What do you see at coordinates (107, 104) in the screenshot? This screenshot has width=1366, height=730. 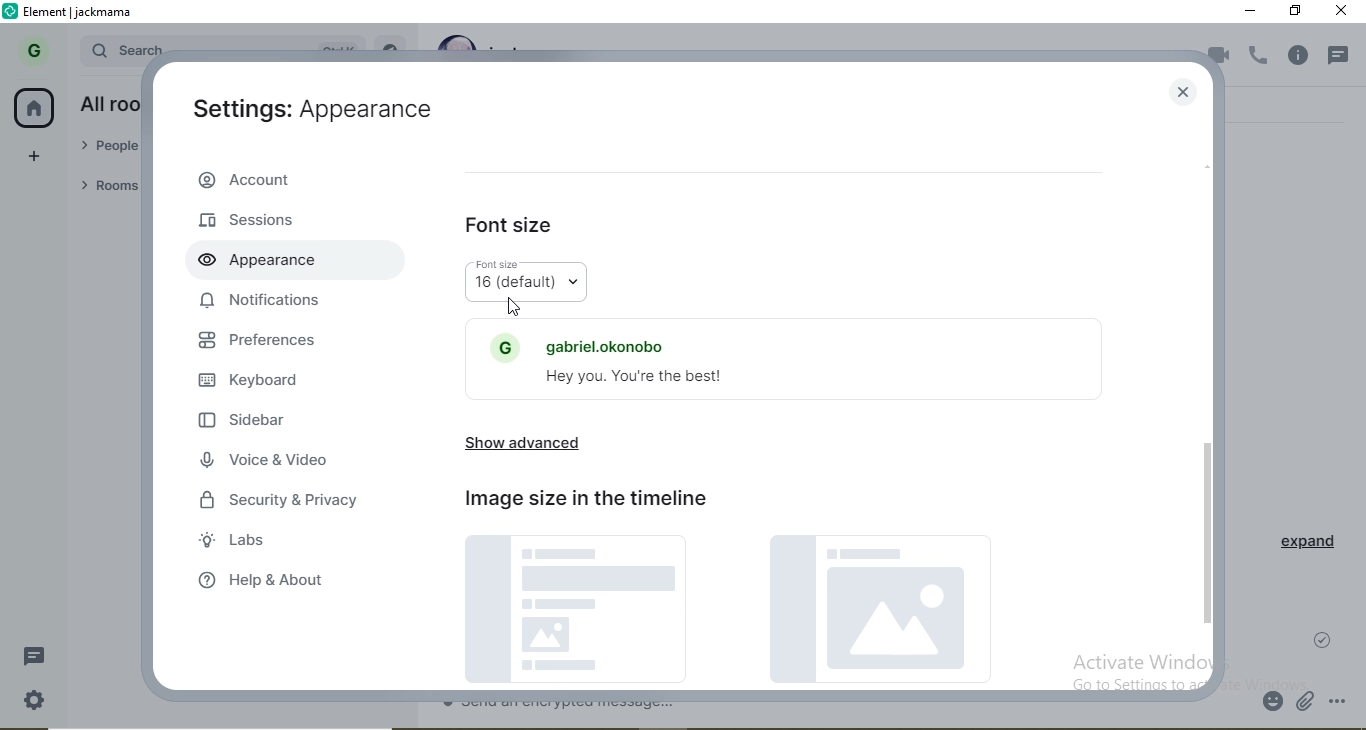 I see `all rooms` at bounding box center [107, 104].